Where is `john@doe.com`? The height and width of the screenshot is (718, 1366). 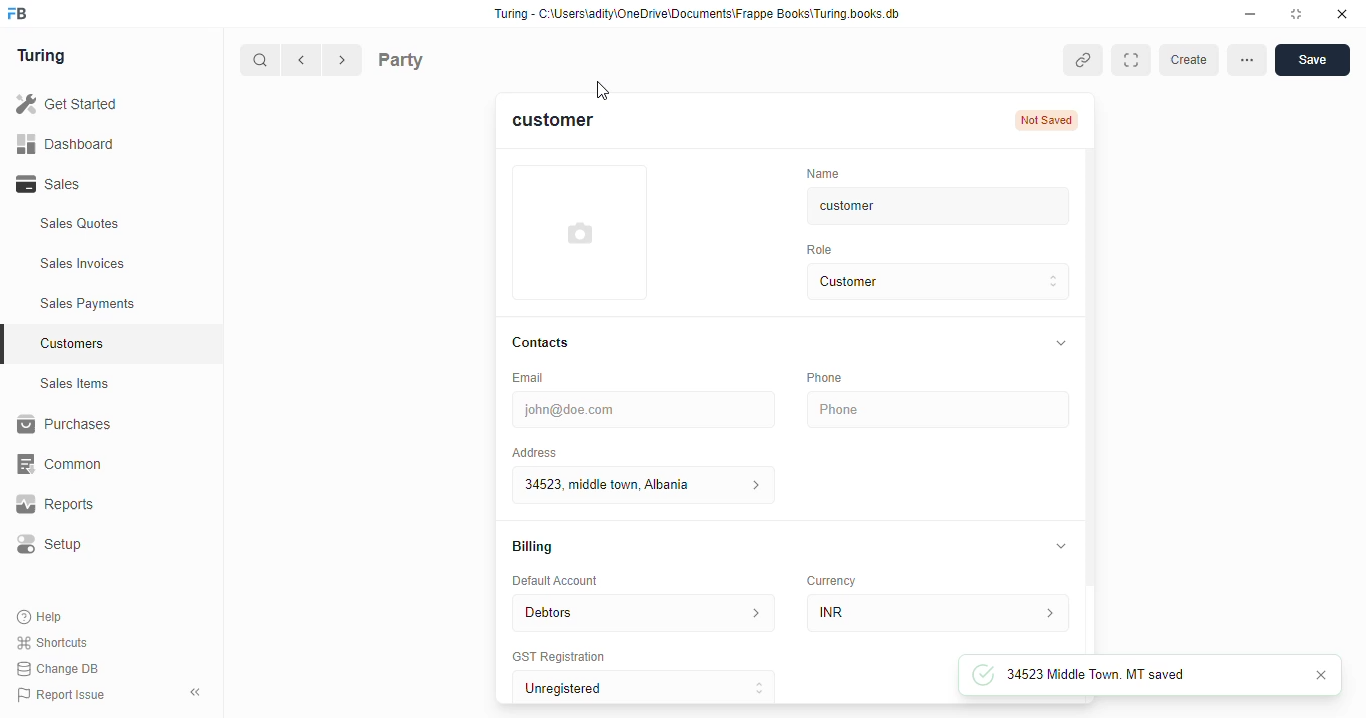 john@doe.com is located at coordinates (641, 408).